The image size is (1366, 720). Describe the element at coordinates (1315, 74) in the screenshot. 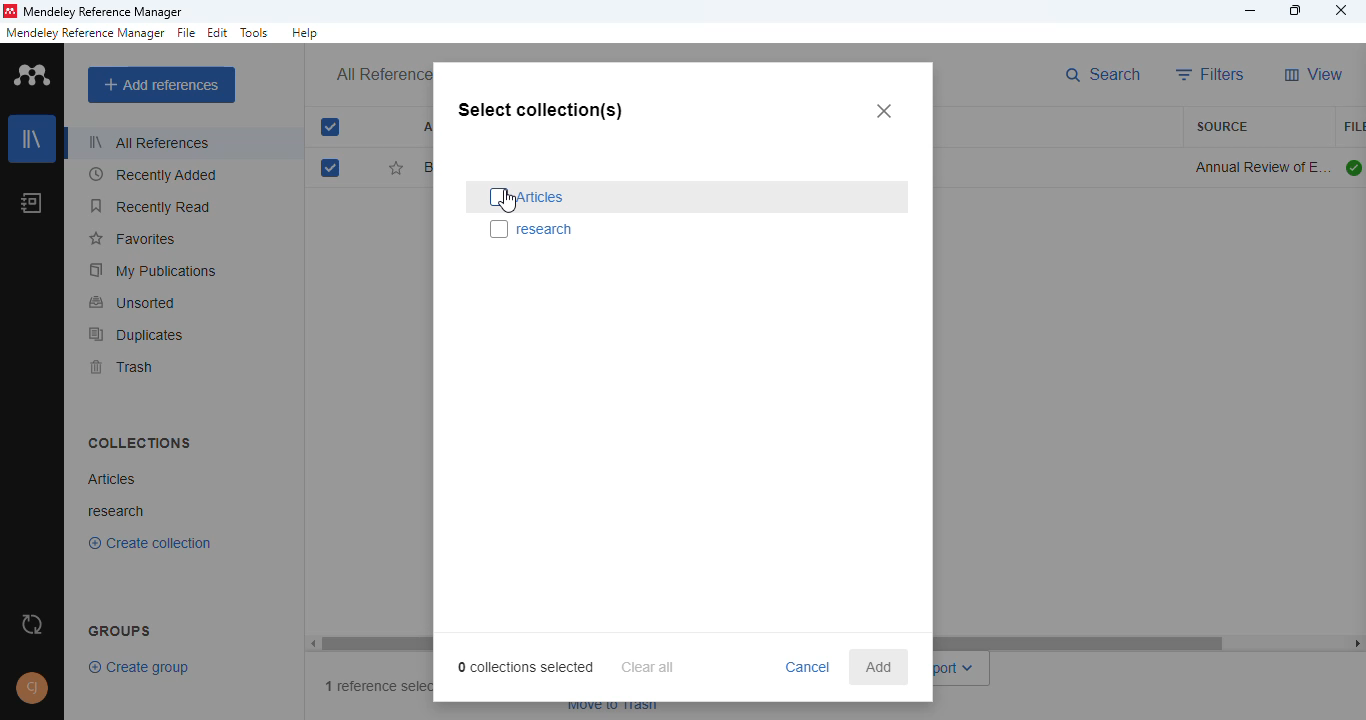

I see `view` at that location.